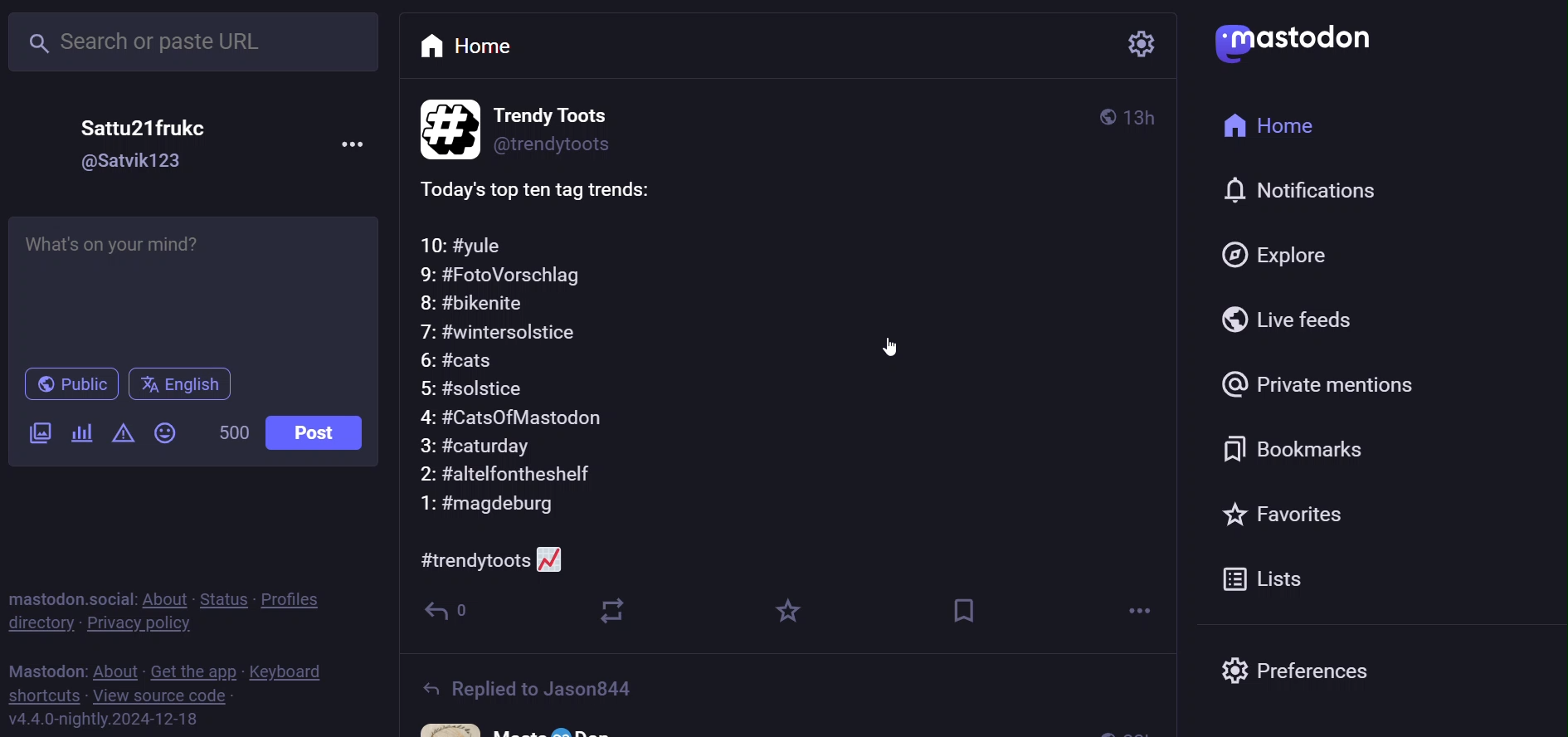 The image size is (1568, 737). I want to click on profile, so click(298, 598).